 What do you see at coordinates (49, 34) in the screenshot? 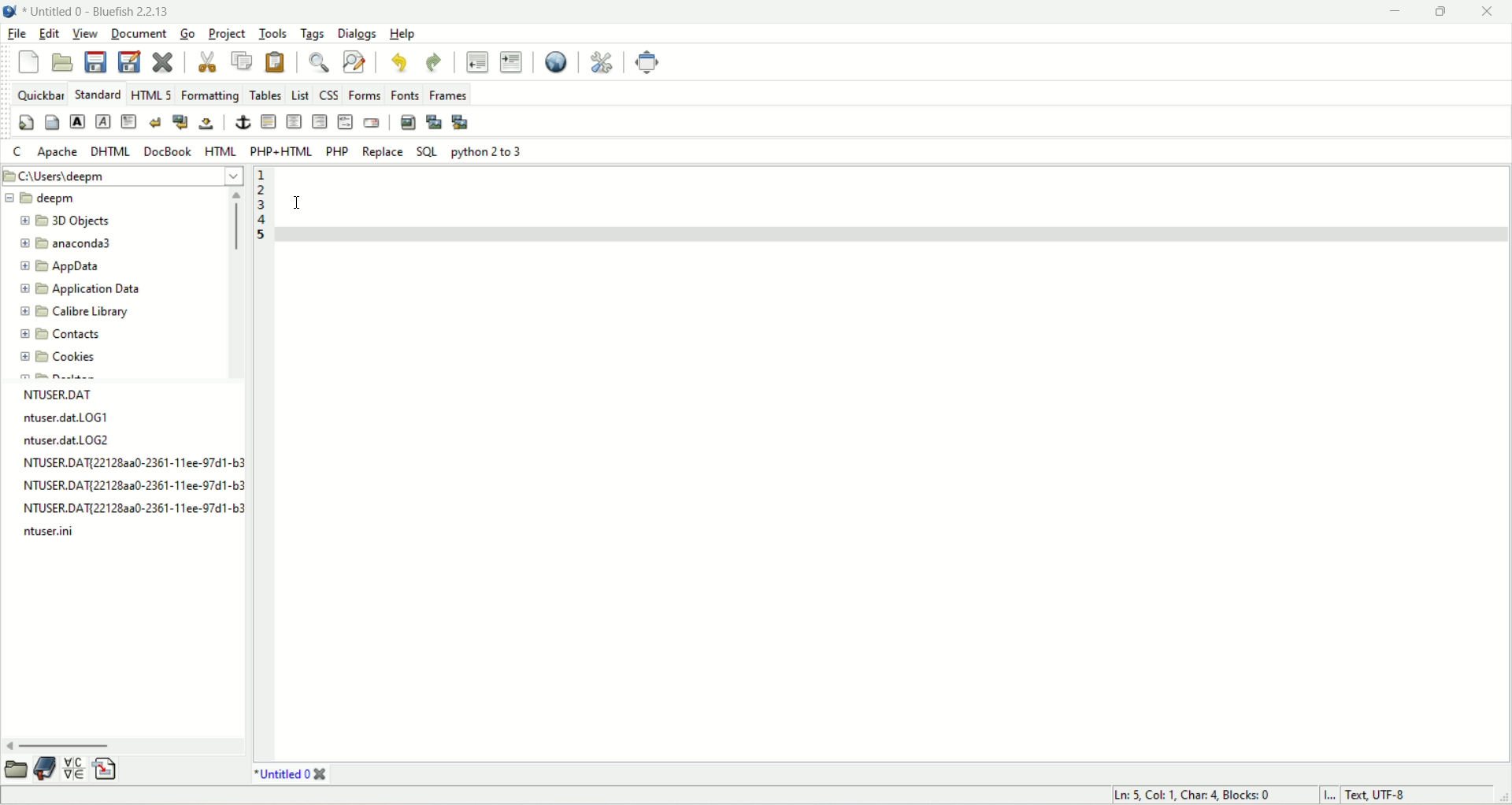
I see `edit` at bounding box center [49, 34].